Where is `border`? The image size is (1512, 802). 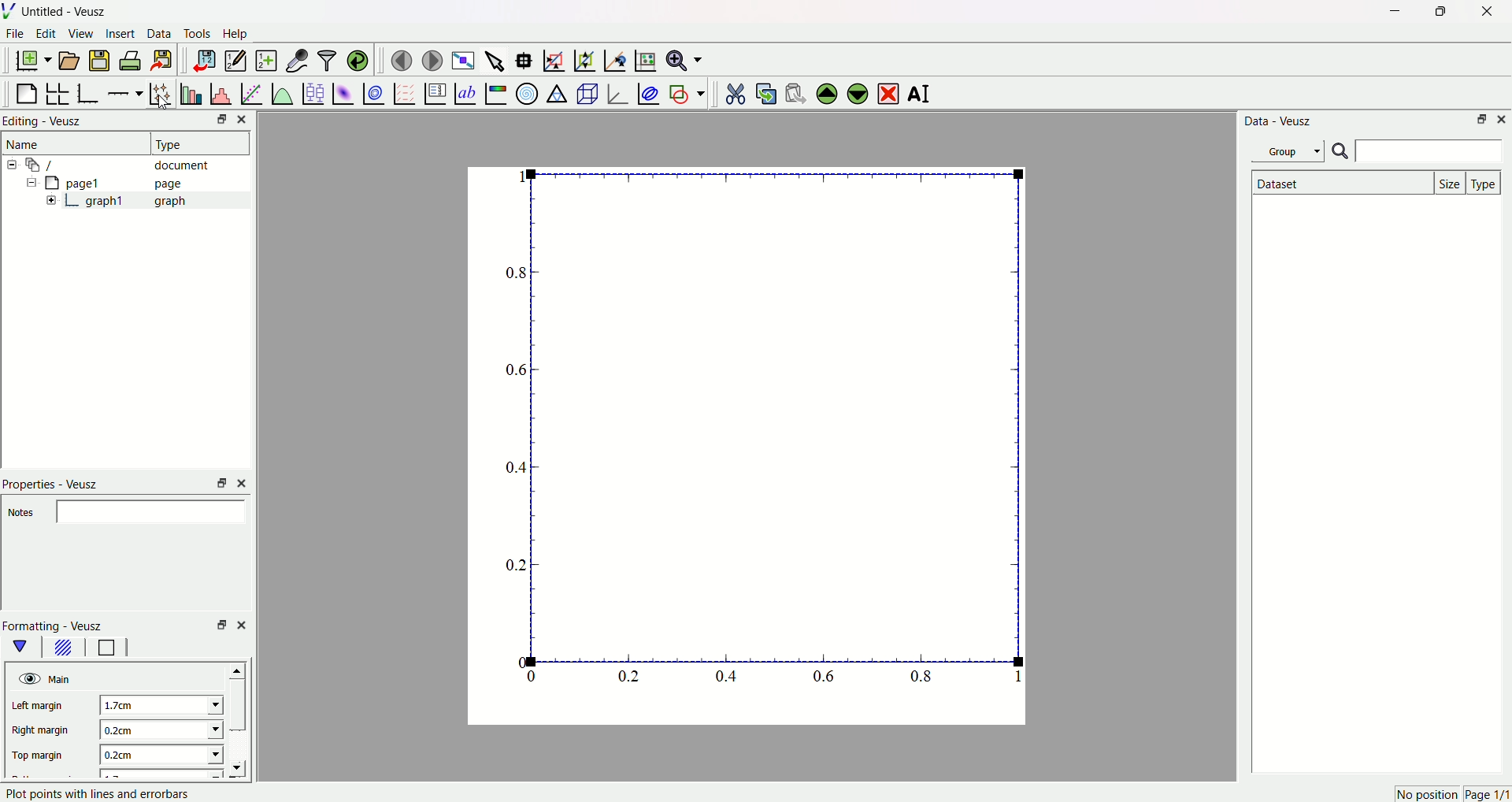 border is located at coordinates (106, 648).